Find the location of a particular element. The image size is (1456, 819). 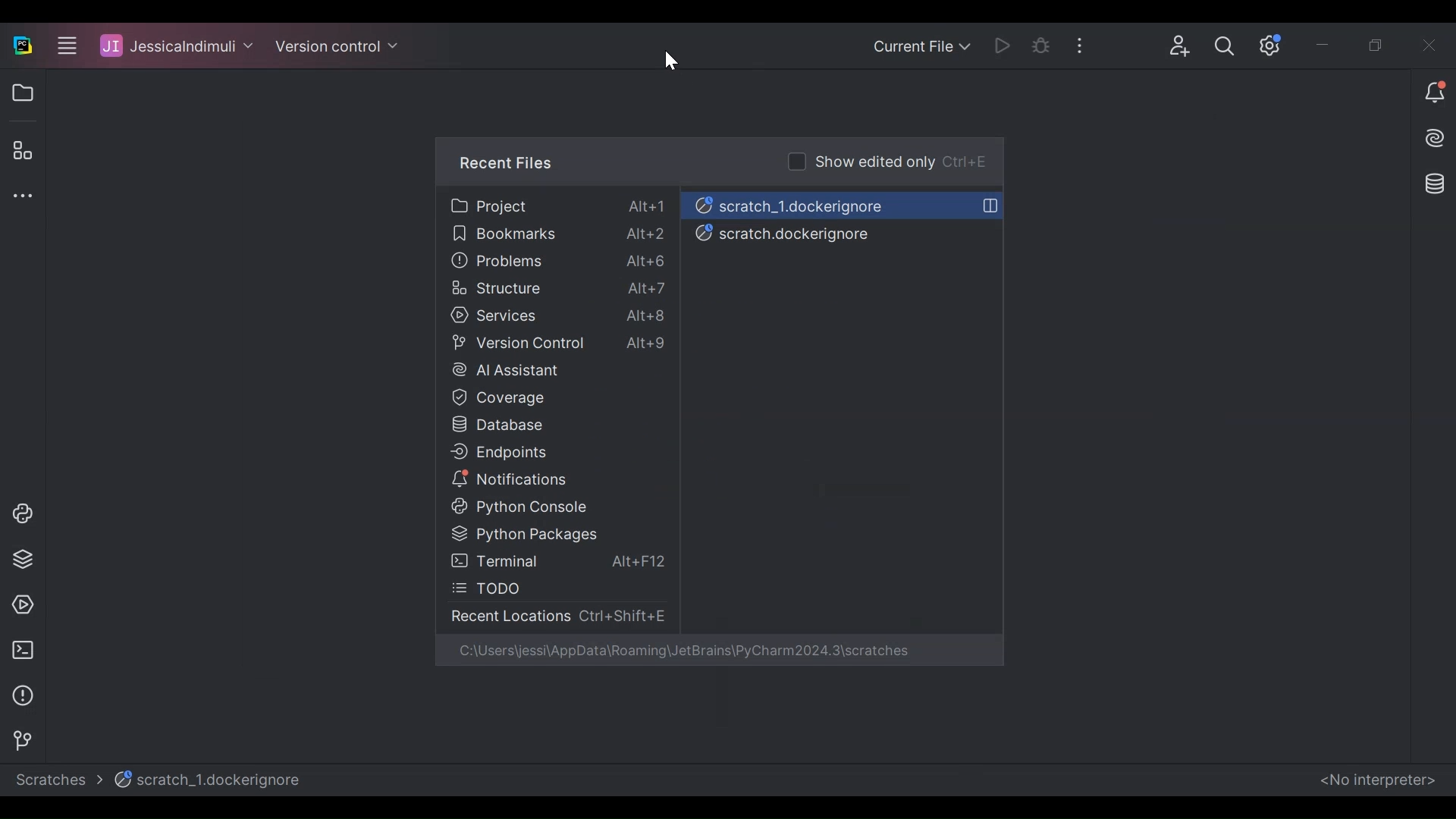

more is located at coordinates (1090, 43).